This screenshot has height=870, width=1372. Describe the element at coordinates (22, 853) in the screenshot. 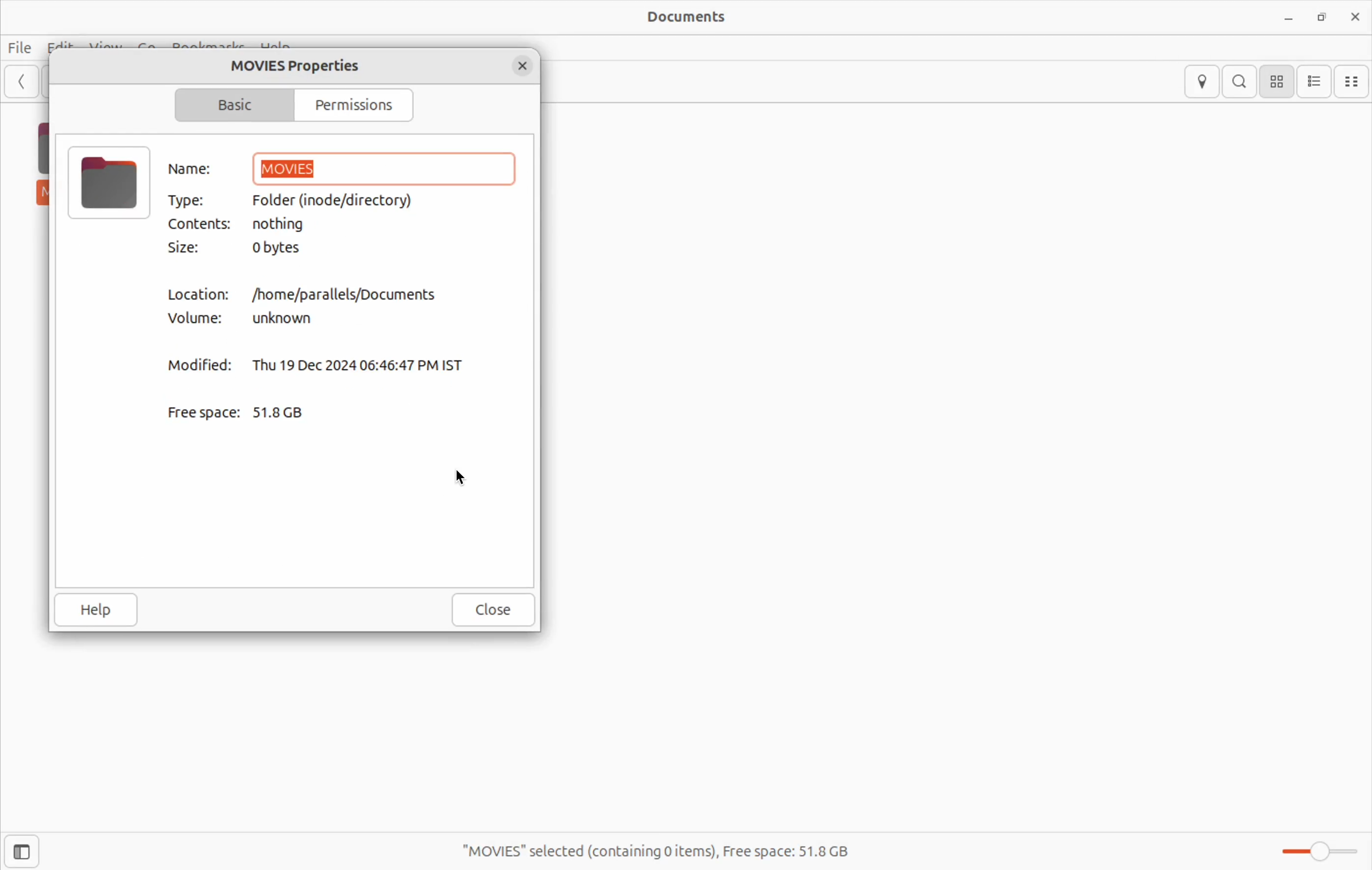

I see `side bar` at that location.